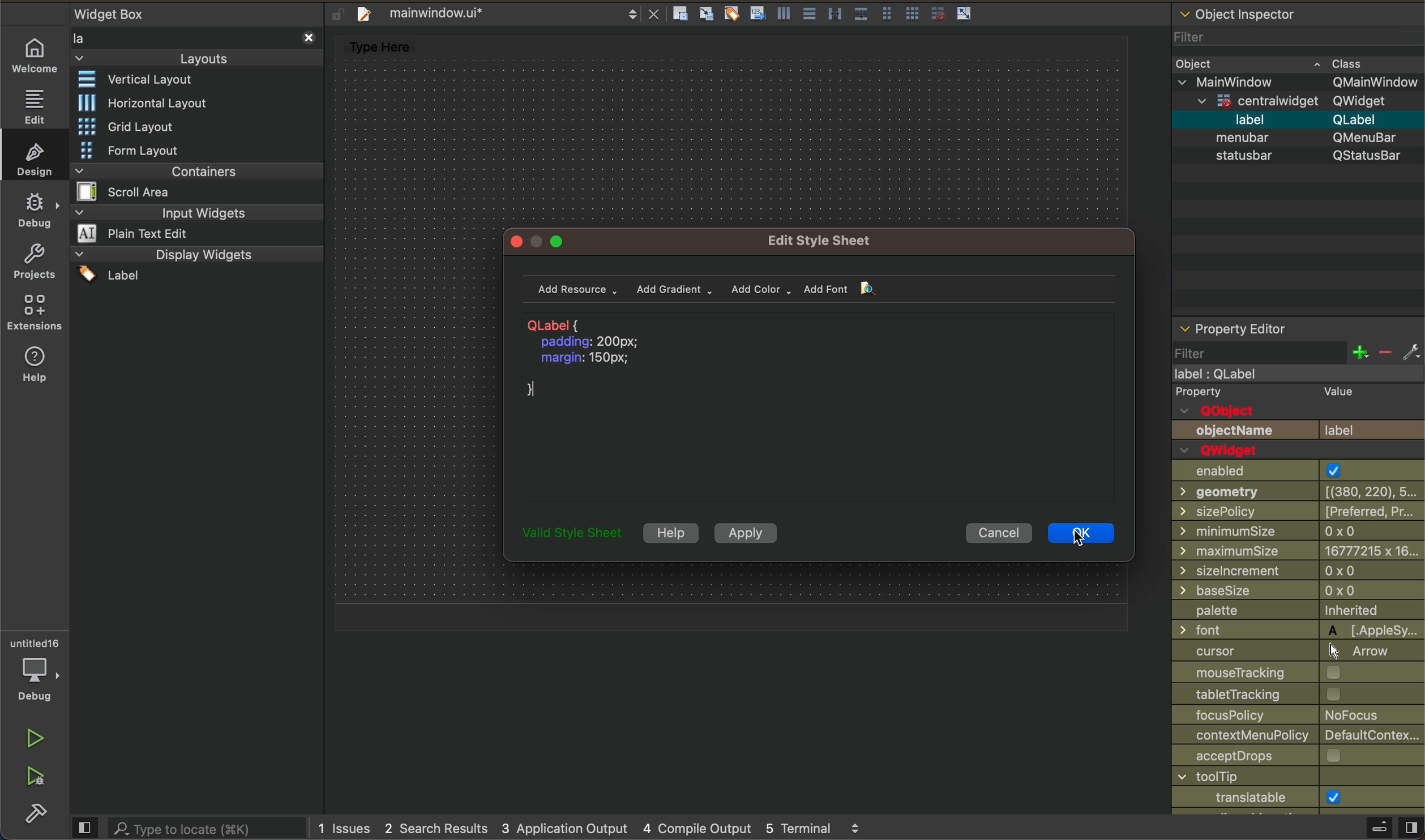 This screenshot has height=840, width=1425. I want to click on contextual, so click(1294, 738).